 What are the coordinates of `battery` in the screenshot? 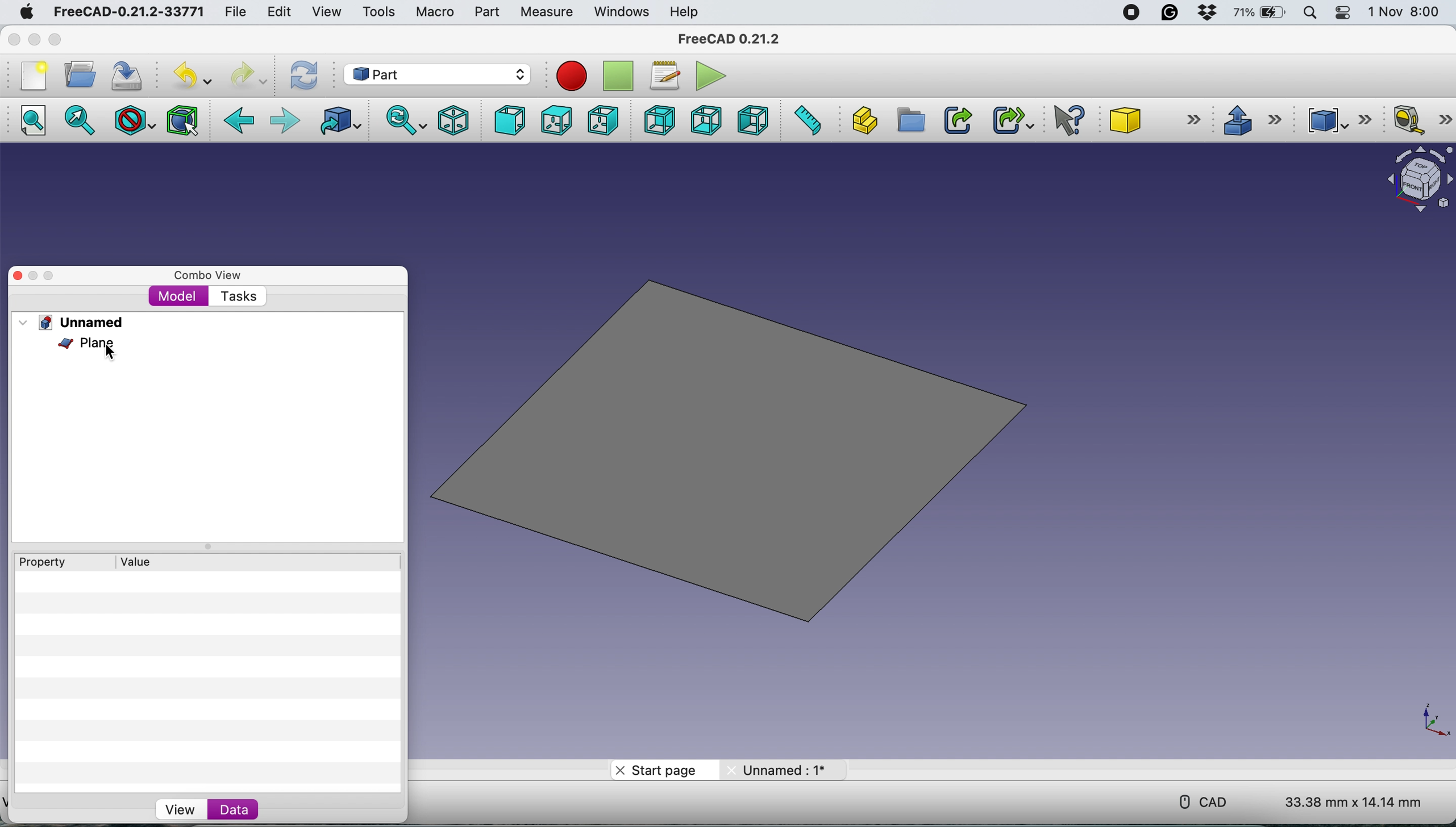 It's located at (1262, 13).